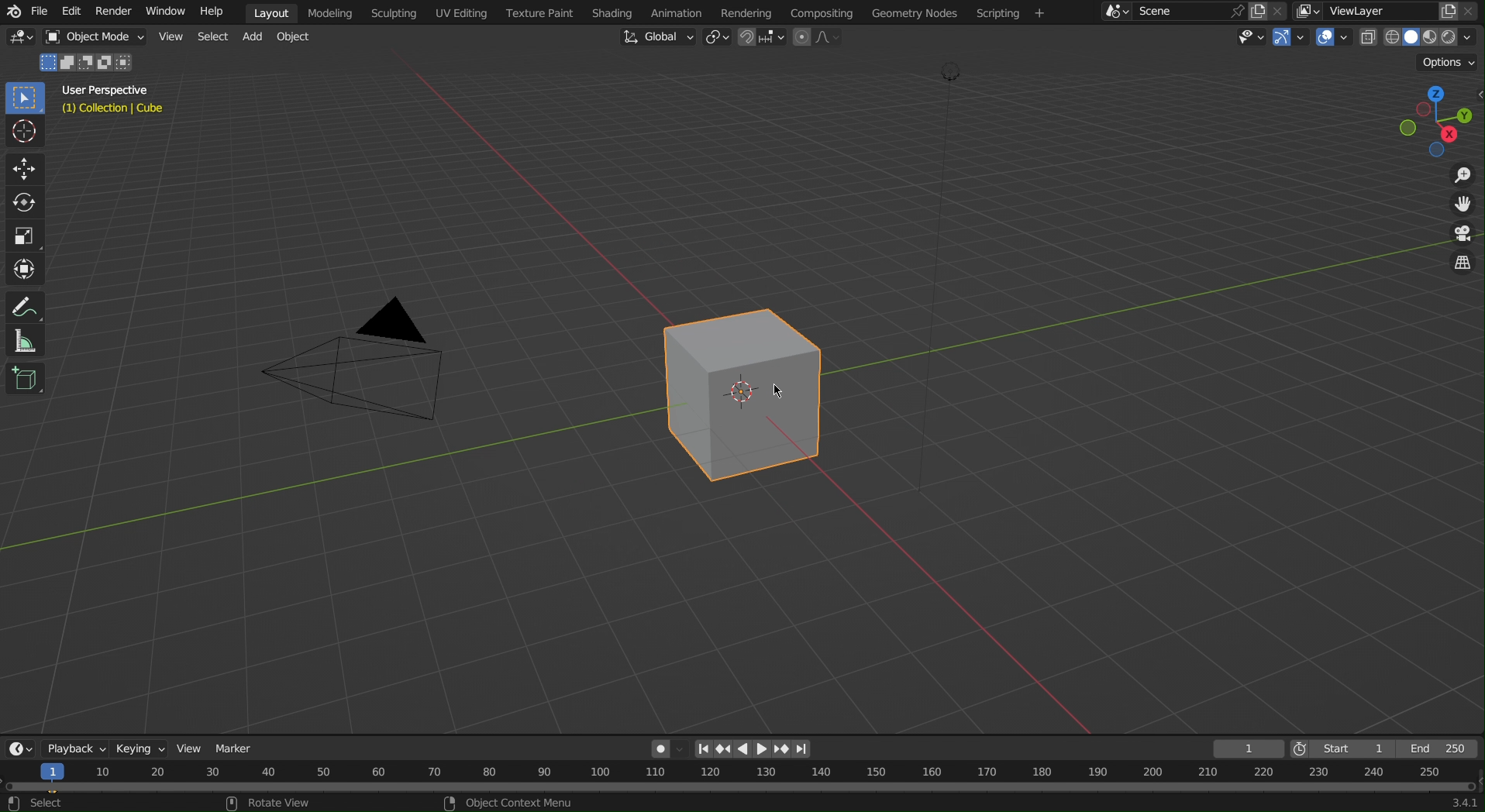 The image size is (1485, 812). Describe the element at coordinates (273, 803) in the screenshot. I see `rotate view` at that location.